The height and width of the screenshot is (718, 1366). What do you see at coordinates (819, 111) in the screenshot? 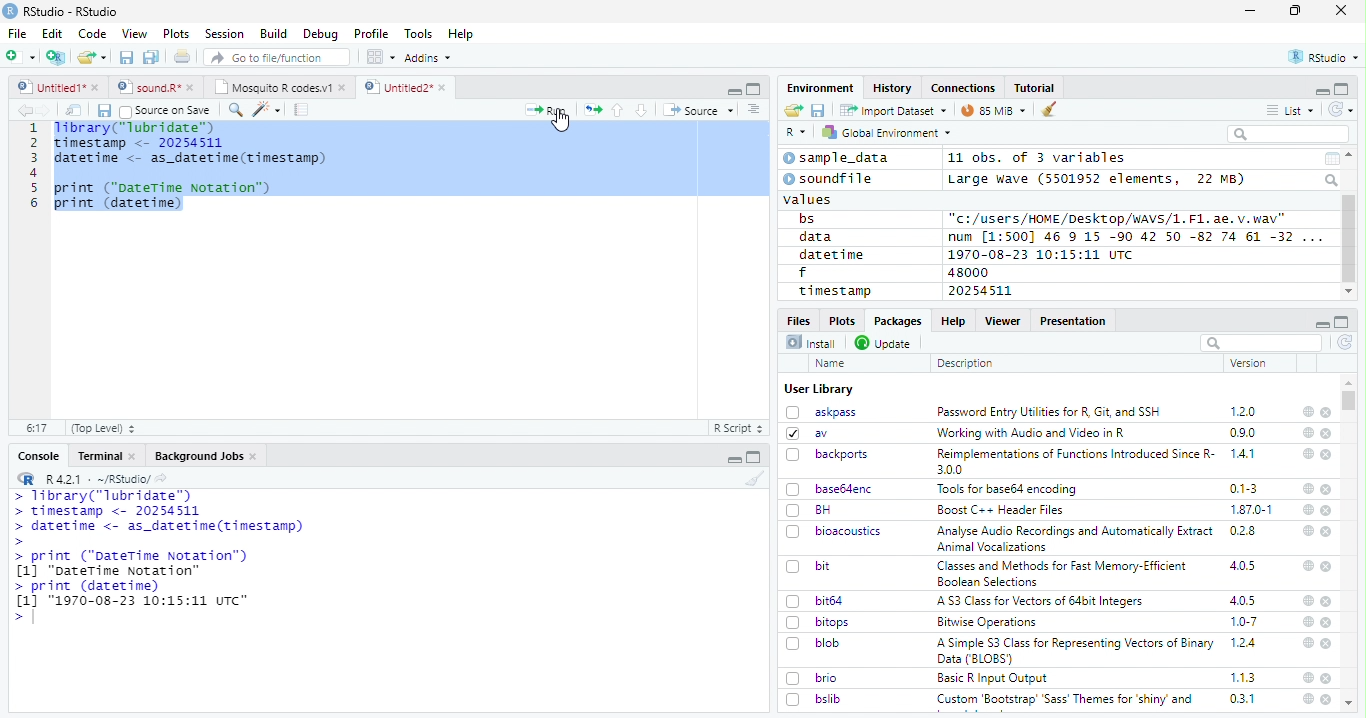
I see `Save` at bounding box center [819, 111].